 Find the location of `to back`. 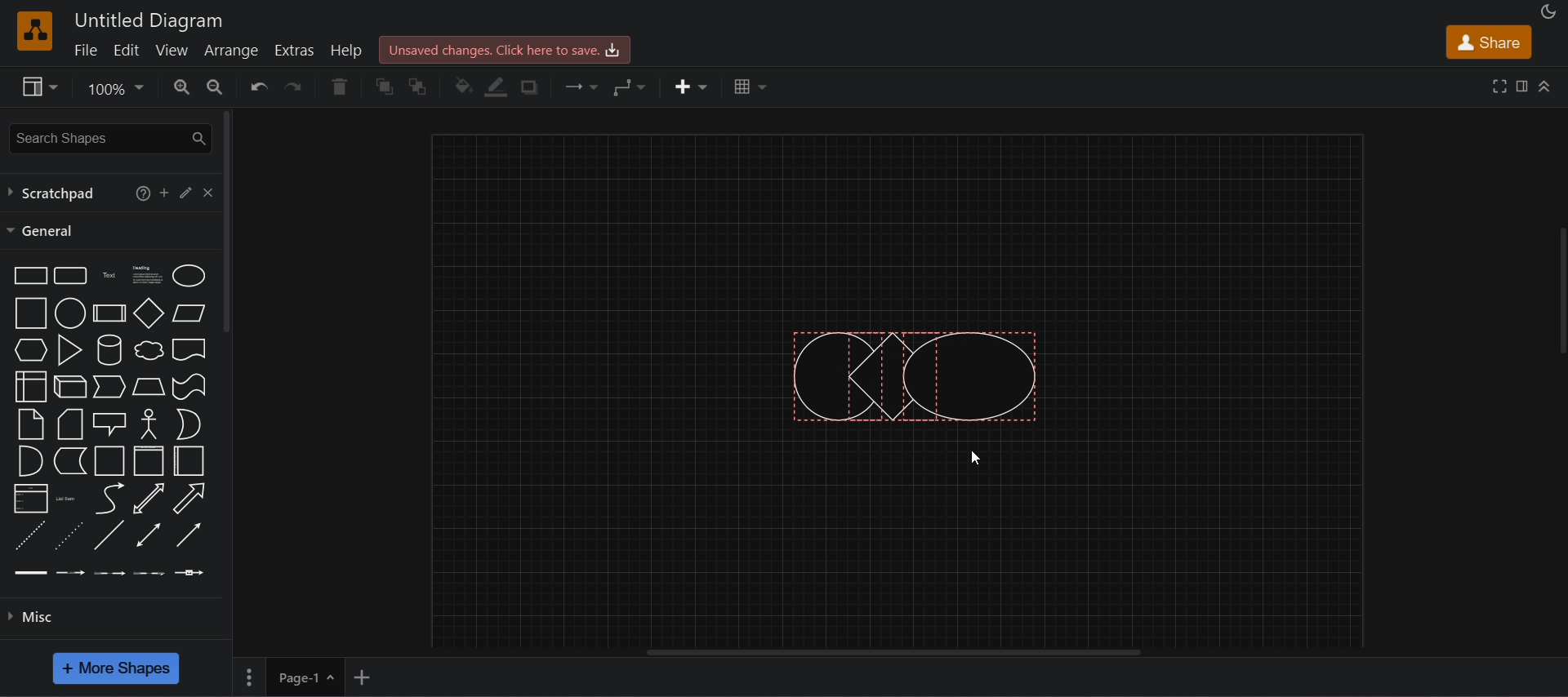

to back is located at coordinates (419, 87).